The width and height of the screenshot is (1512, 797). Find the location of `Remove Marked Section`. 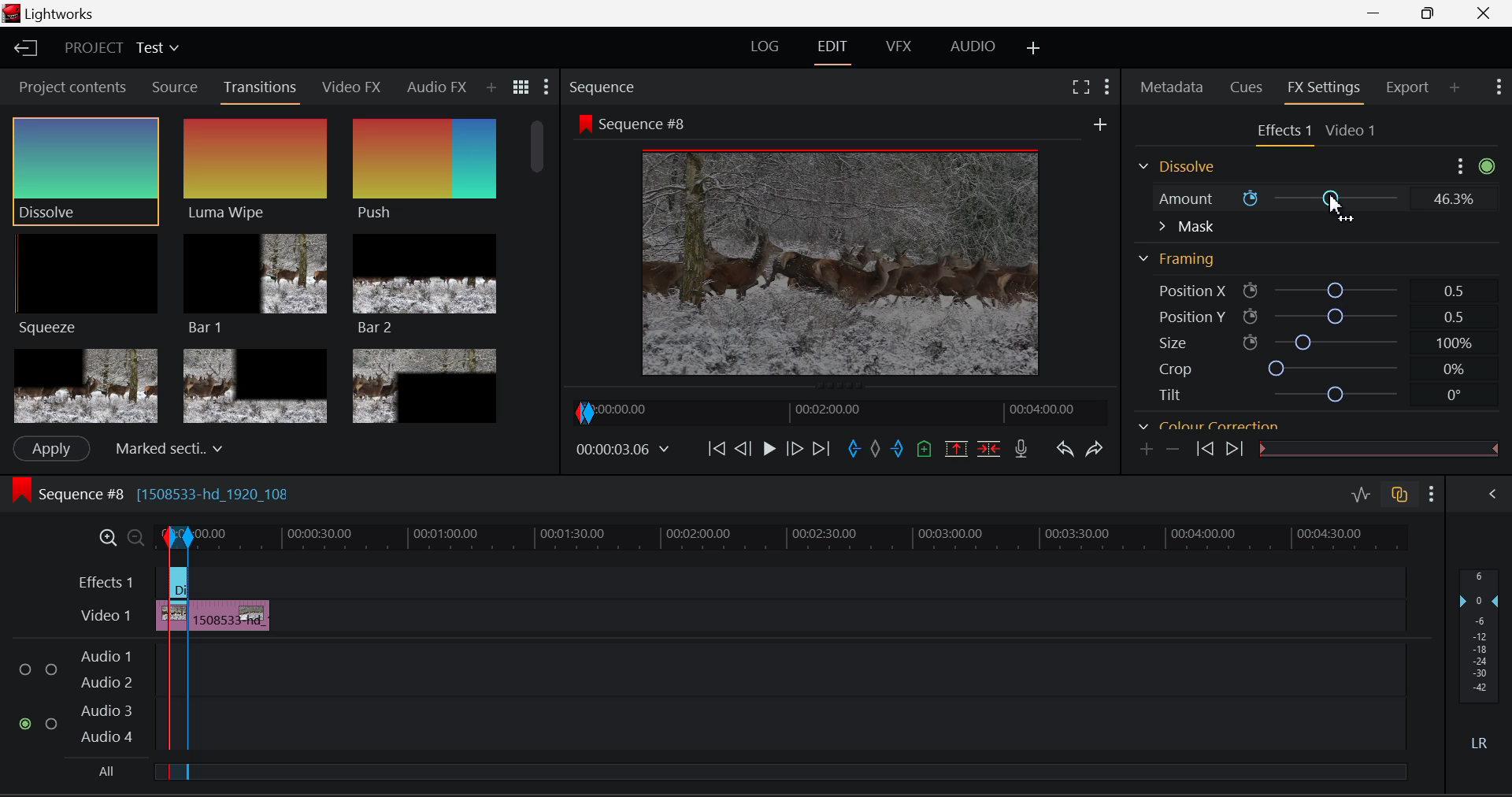

Remove Marked Section is located at coordinates (958, 448).